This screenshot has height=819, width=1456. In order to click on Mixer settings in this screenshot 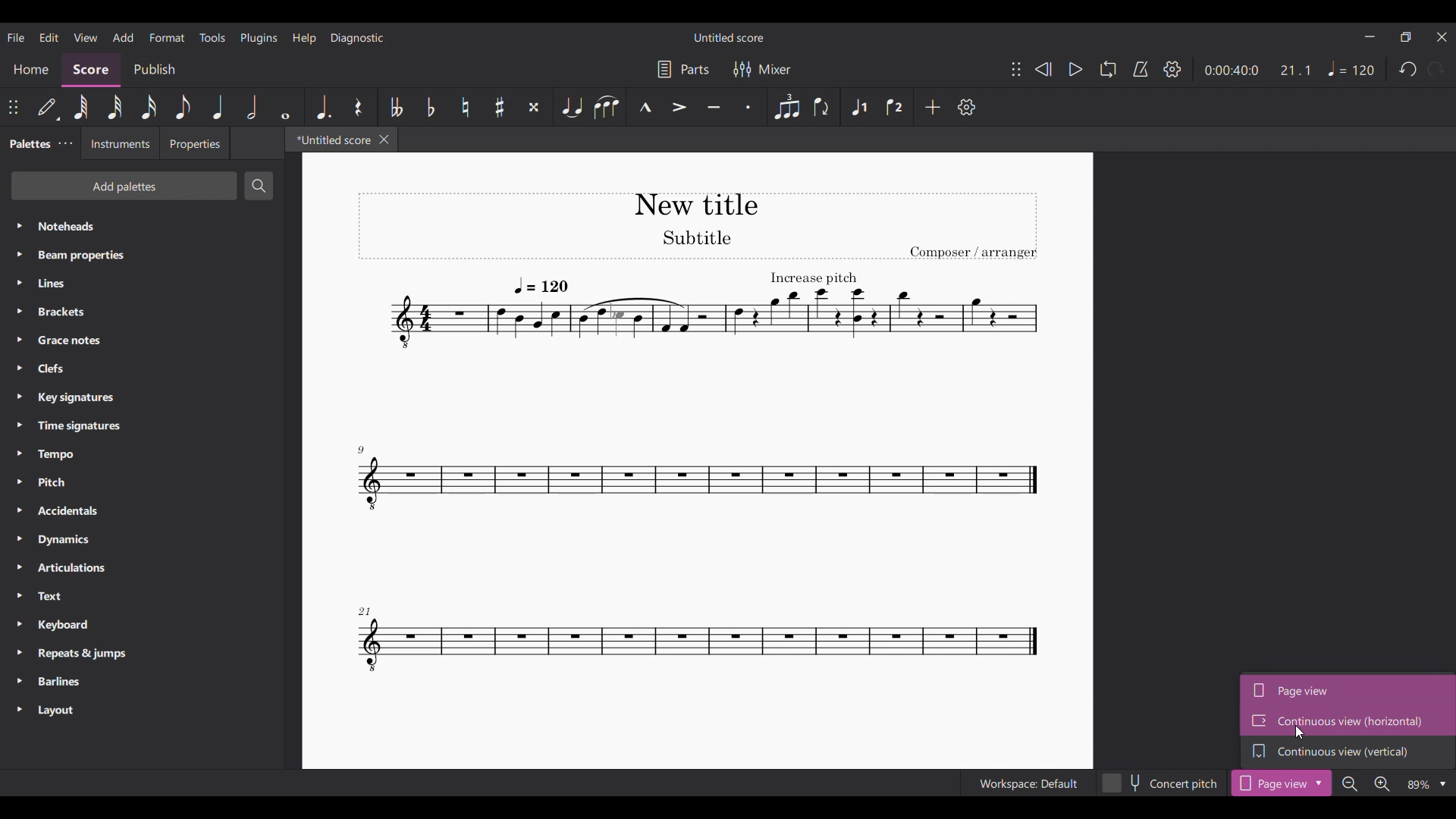, I will do `click(762, 69)`.